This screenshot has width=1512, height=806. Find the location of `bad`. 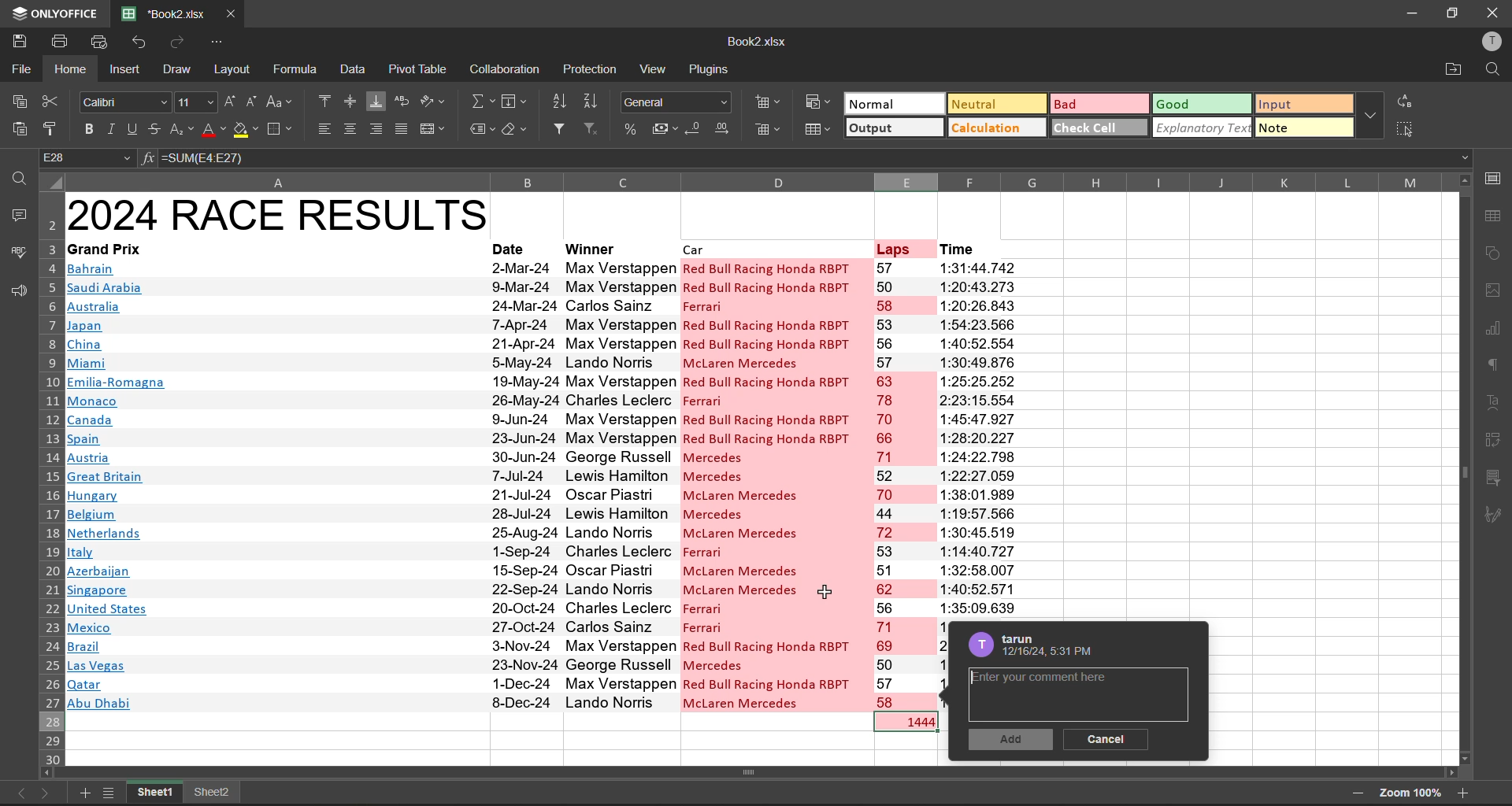

bad is located at coordinates (1098, 104).